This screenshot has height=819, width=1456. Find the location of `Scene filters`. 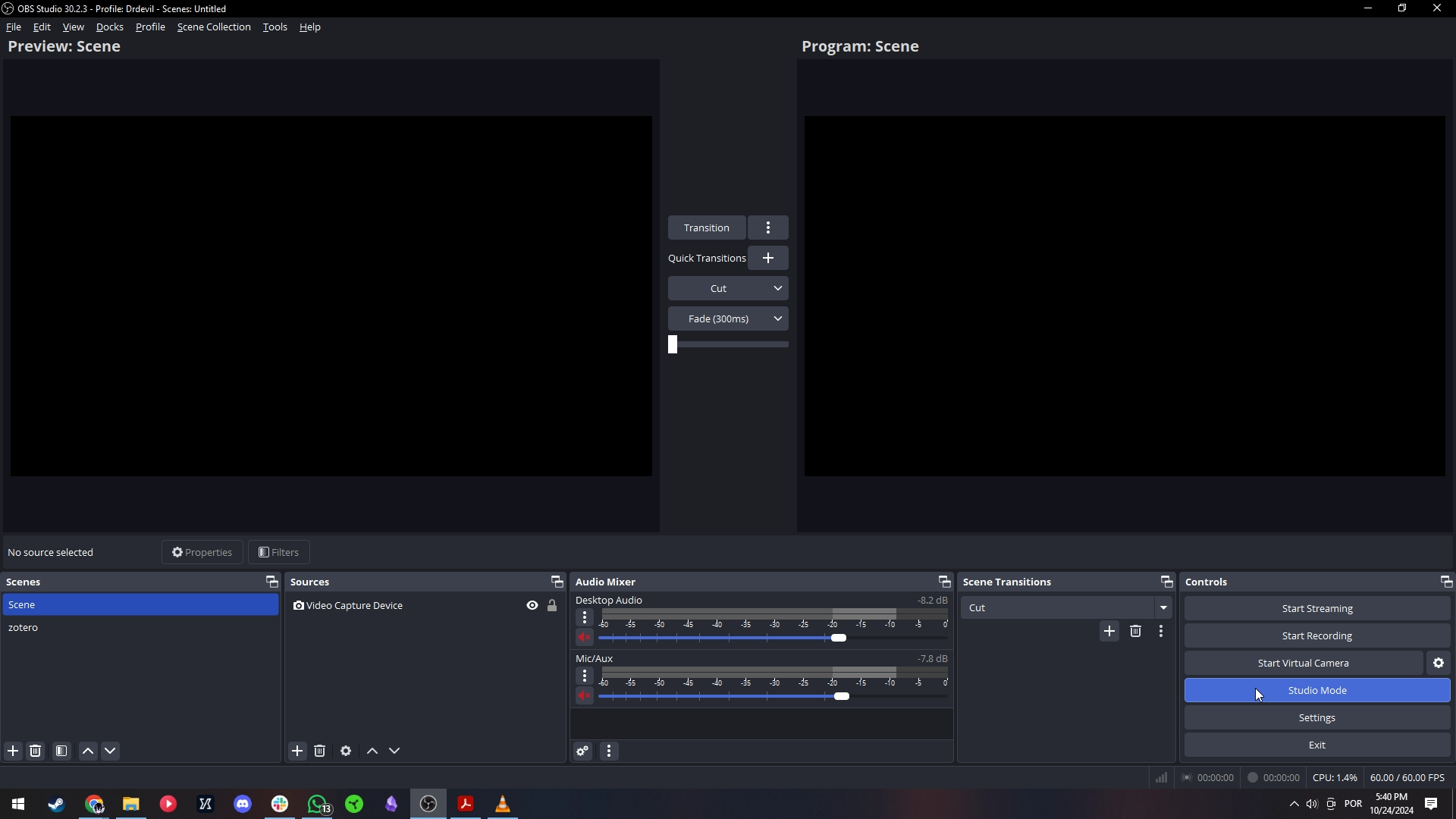

Scene filters is located at coordinates (61, 752).